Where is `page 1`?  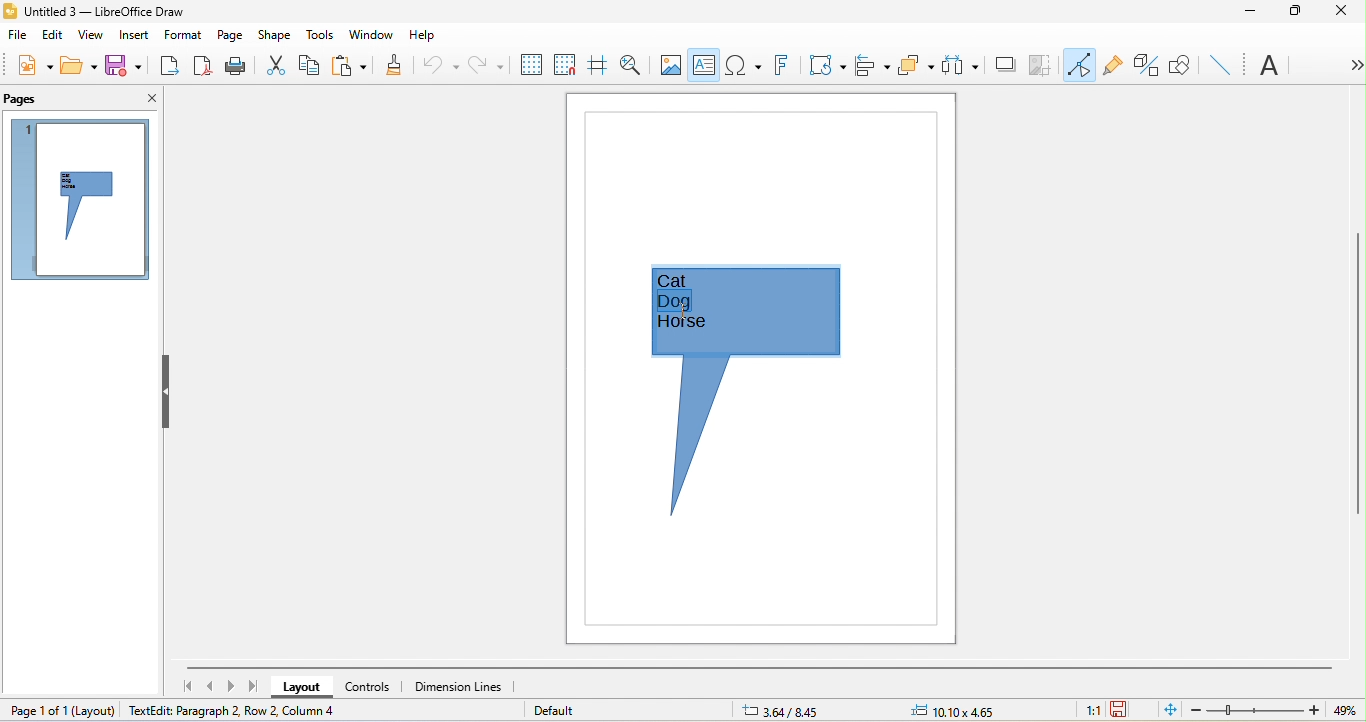 page 1 is located at coordinates (76, 199).